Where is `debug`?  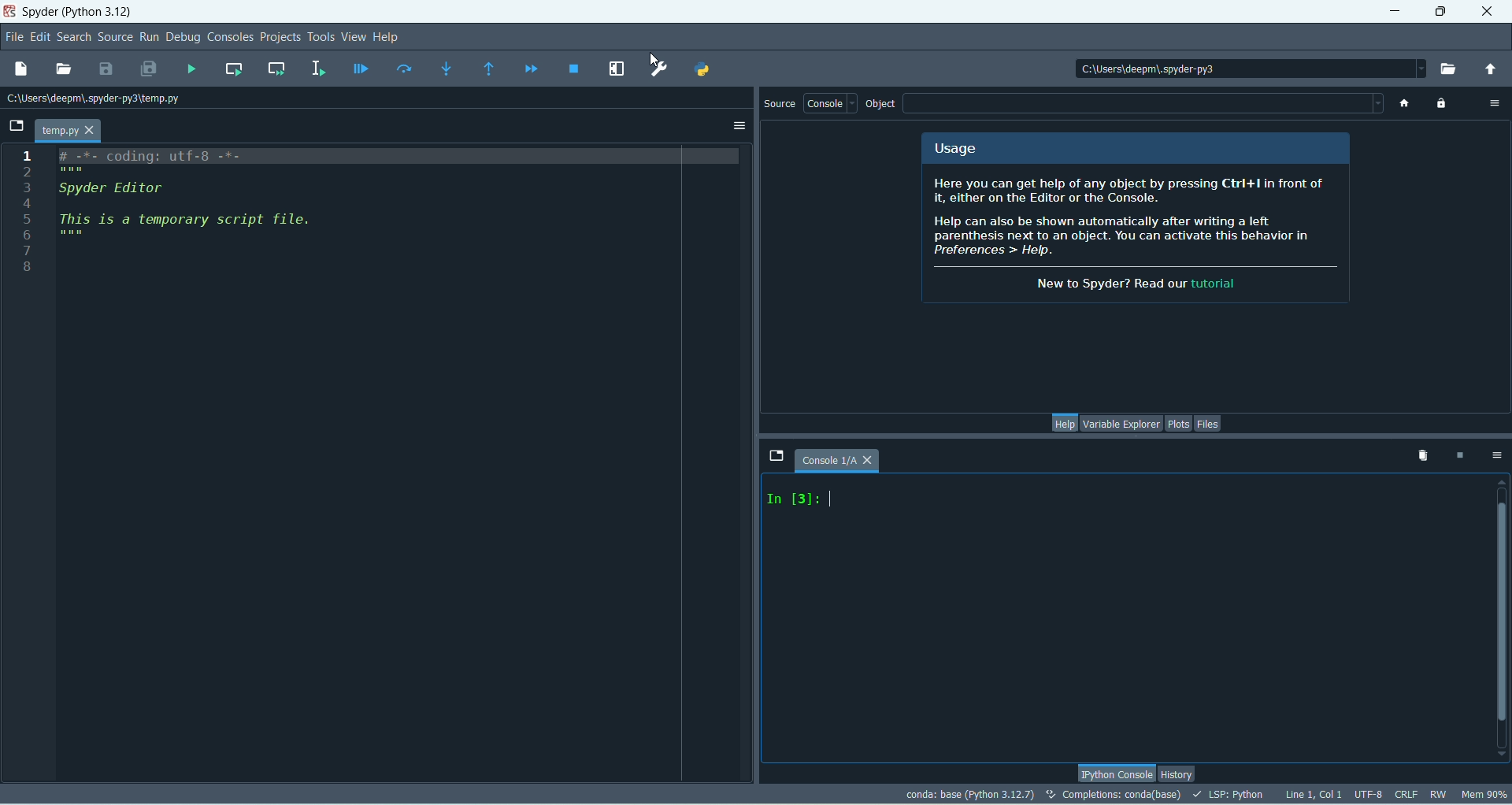
debug is located at coordinates (183, 38).